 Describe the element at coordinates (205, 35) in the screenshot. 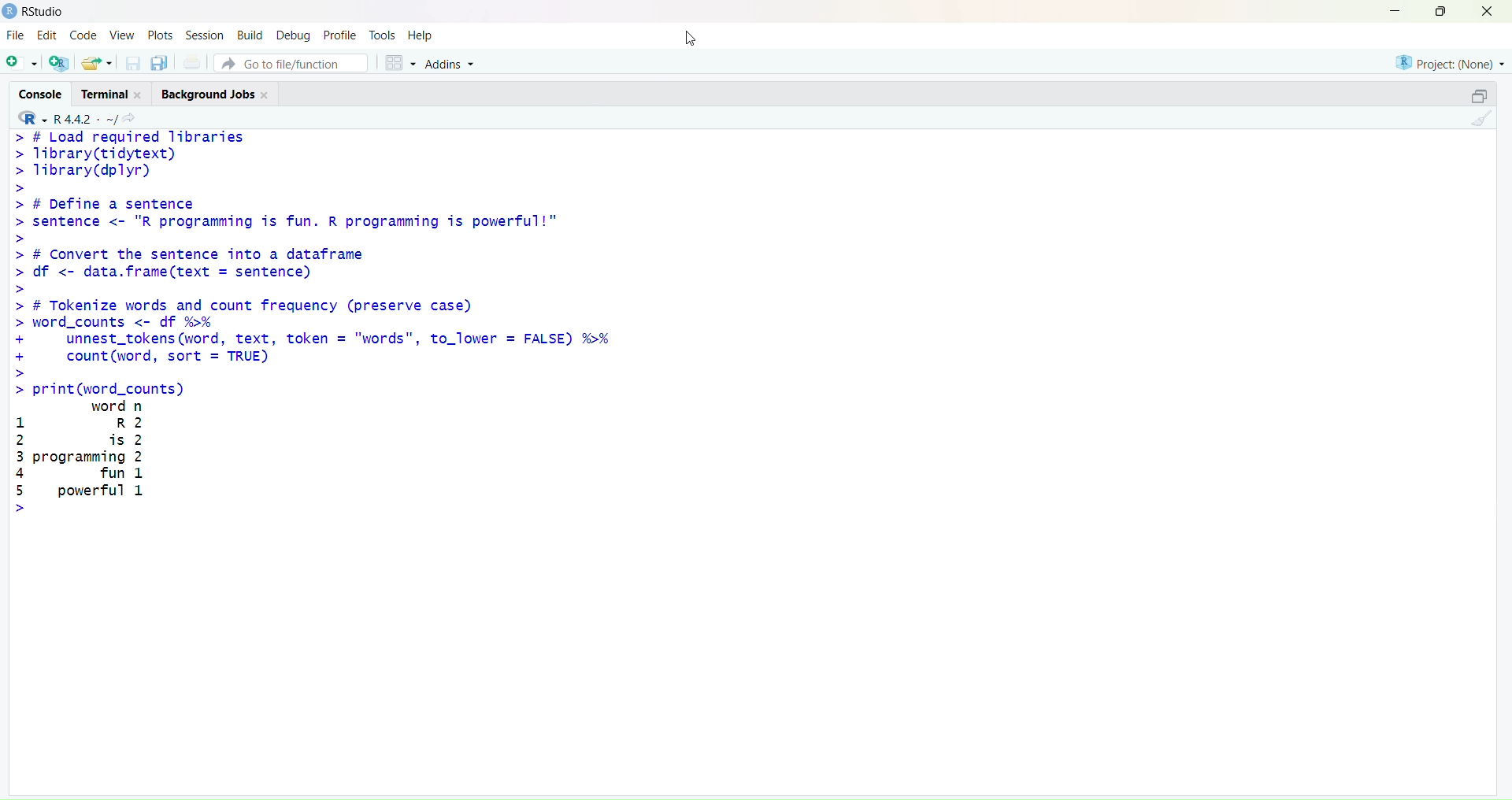

I see `session` at that location.